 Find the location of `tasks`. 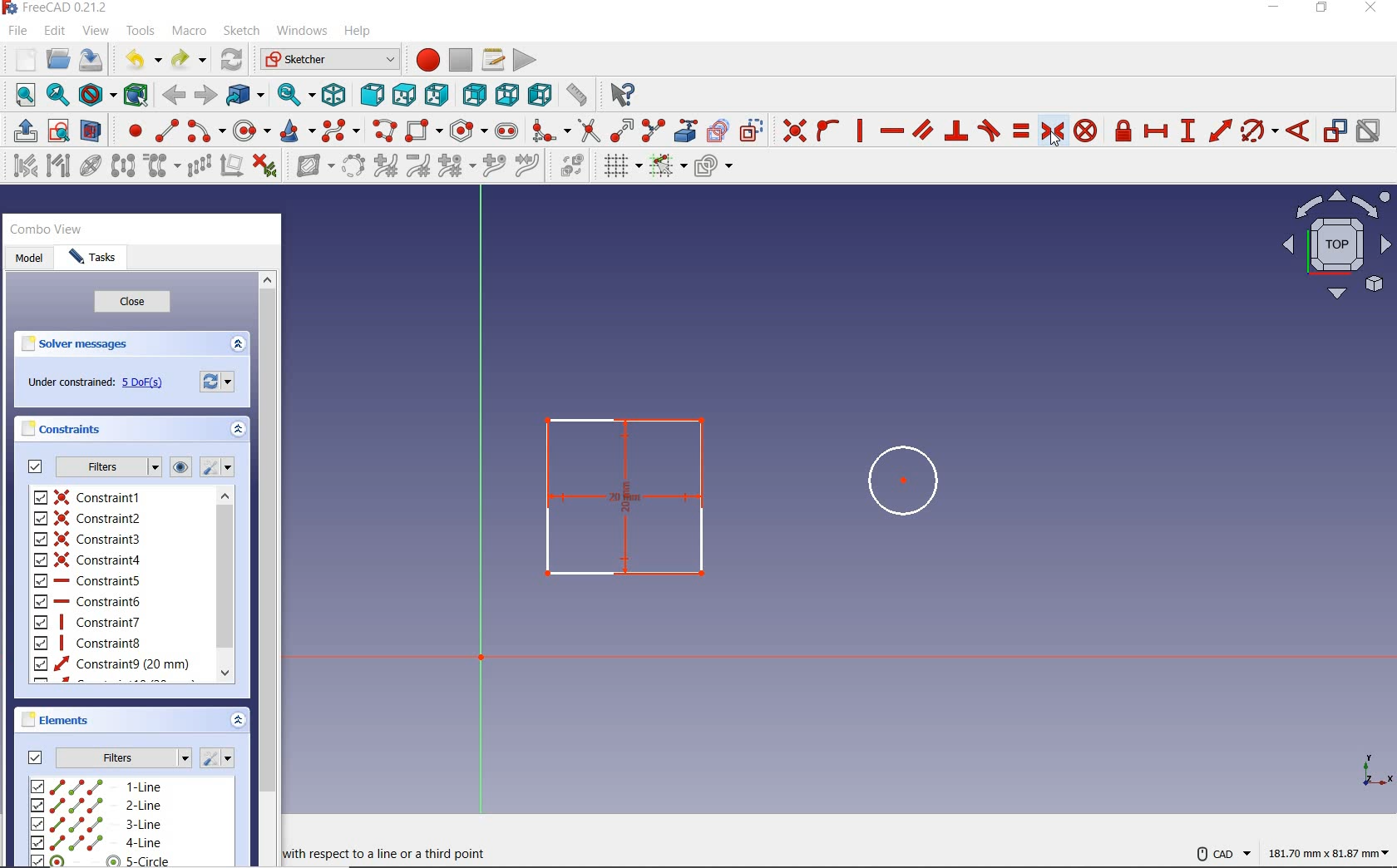

tasks is located at coordinates (96, 257).